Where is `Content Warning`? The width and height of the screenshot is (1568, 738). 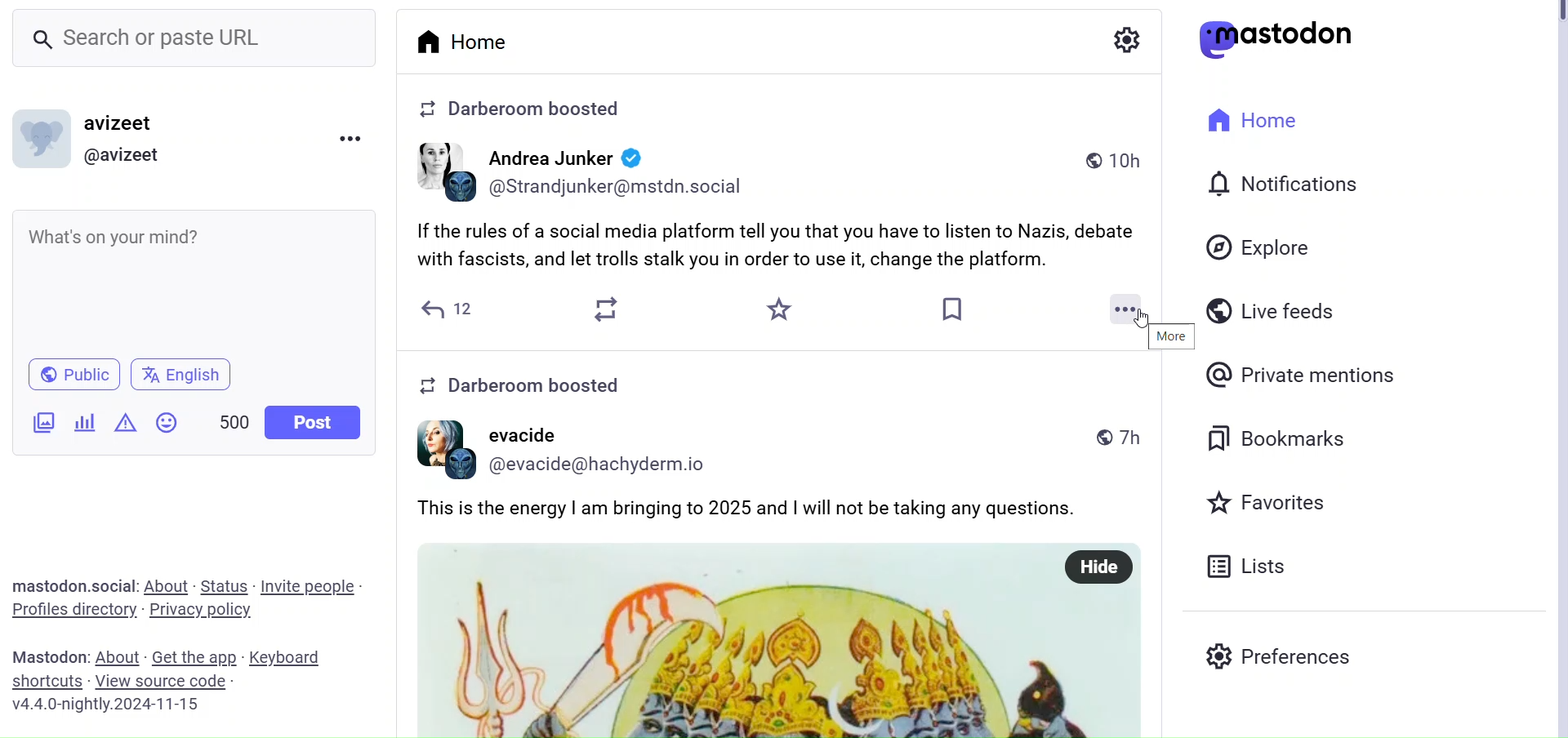 Content Warning is located at coordinates (128, 423).